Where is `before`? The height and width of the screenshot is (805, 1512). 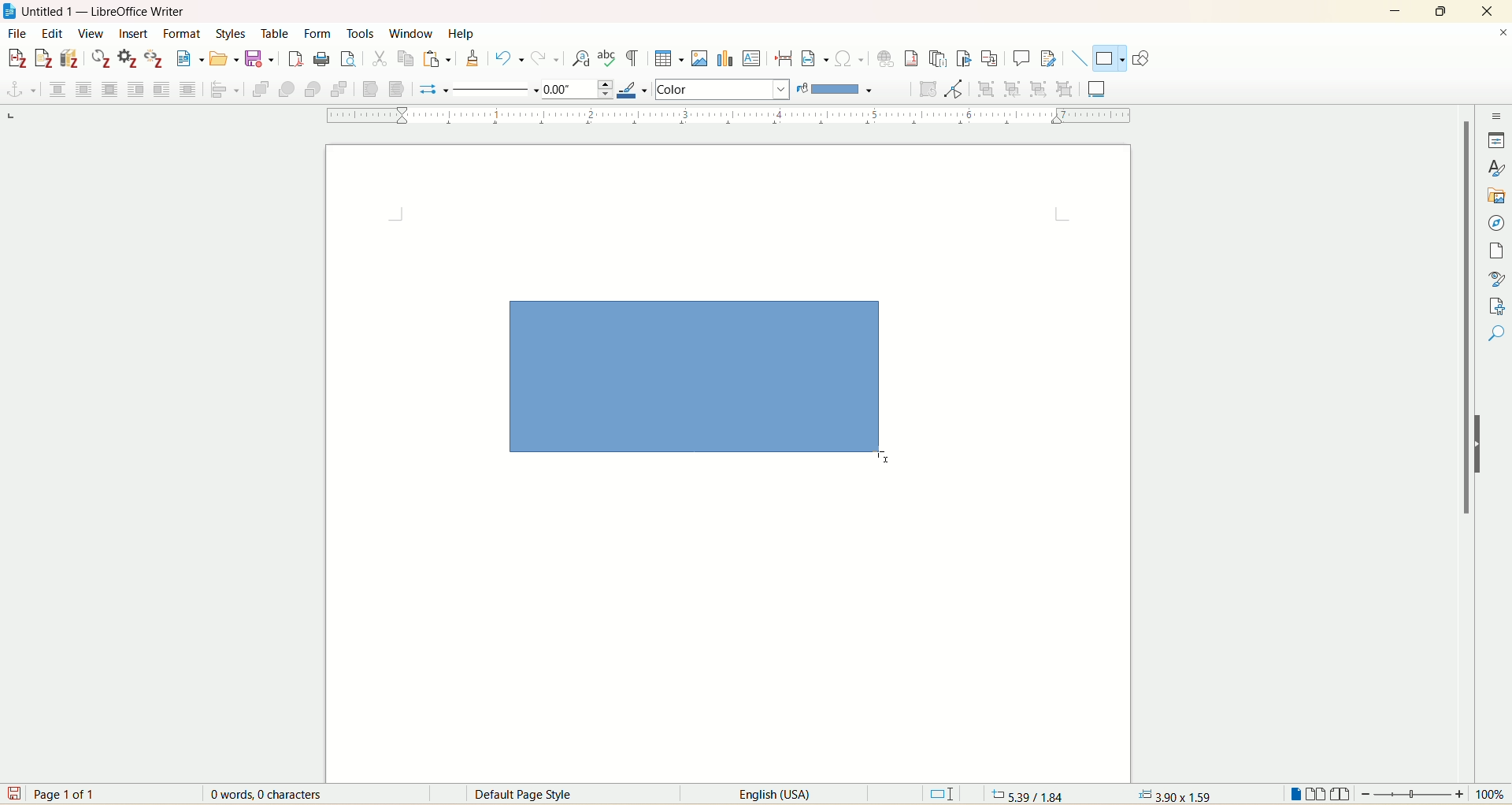 before is located at coordinates (136, 87).